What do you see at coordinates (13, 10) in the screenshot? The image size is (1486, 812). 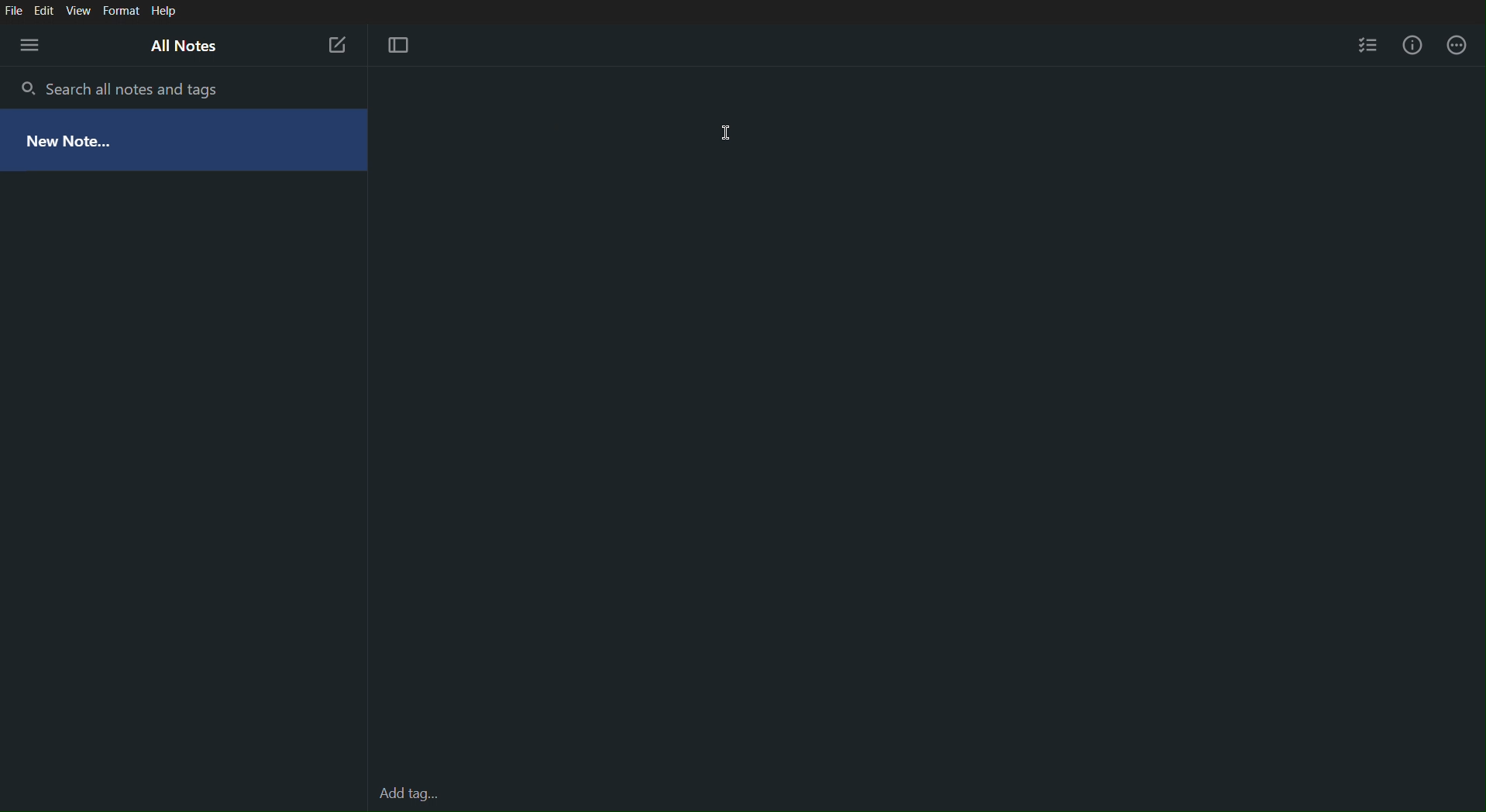 I see `File` at bounding box center [13, 10].